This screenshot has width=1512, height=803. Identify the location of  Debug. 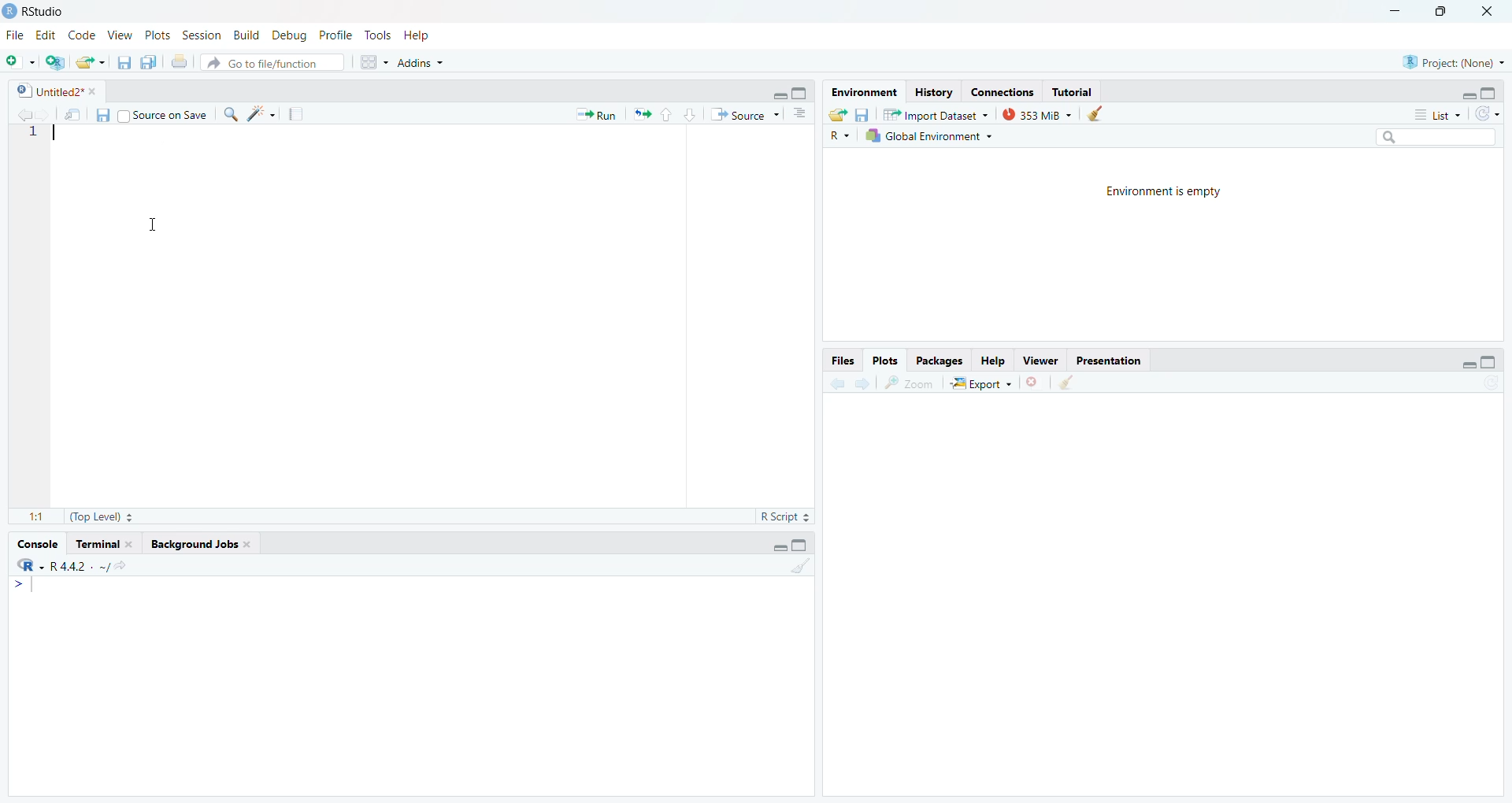
(287, 36).